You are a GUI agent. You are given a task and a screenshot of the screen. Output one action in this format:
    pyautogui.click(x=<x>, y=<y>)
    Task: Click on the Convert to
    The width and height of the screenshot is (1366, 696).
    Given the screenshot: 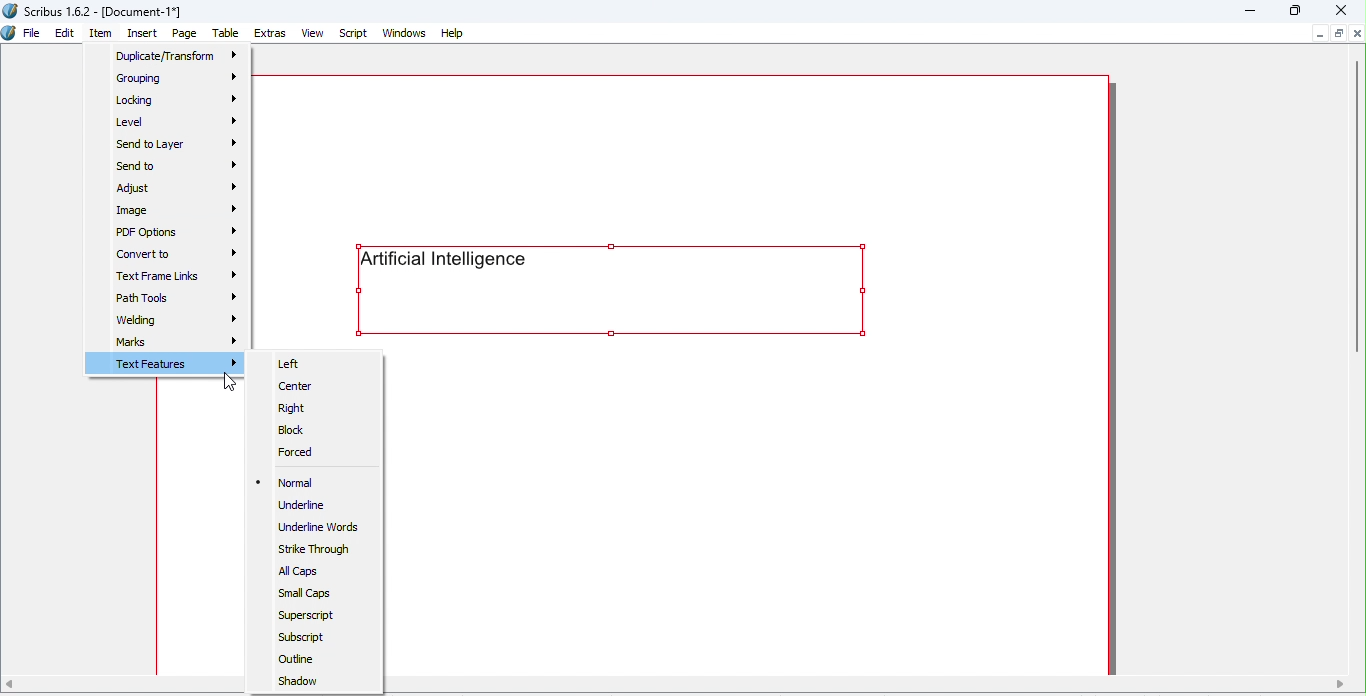 What is the action you would take?
    pyautogui.click(x=174, y=254)
    